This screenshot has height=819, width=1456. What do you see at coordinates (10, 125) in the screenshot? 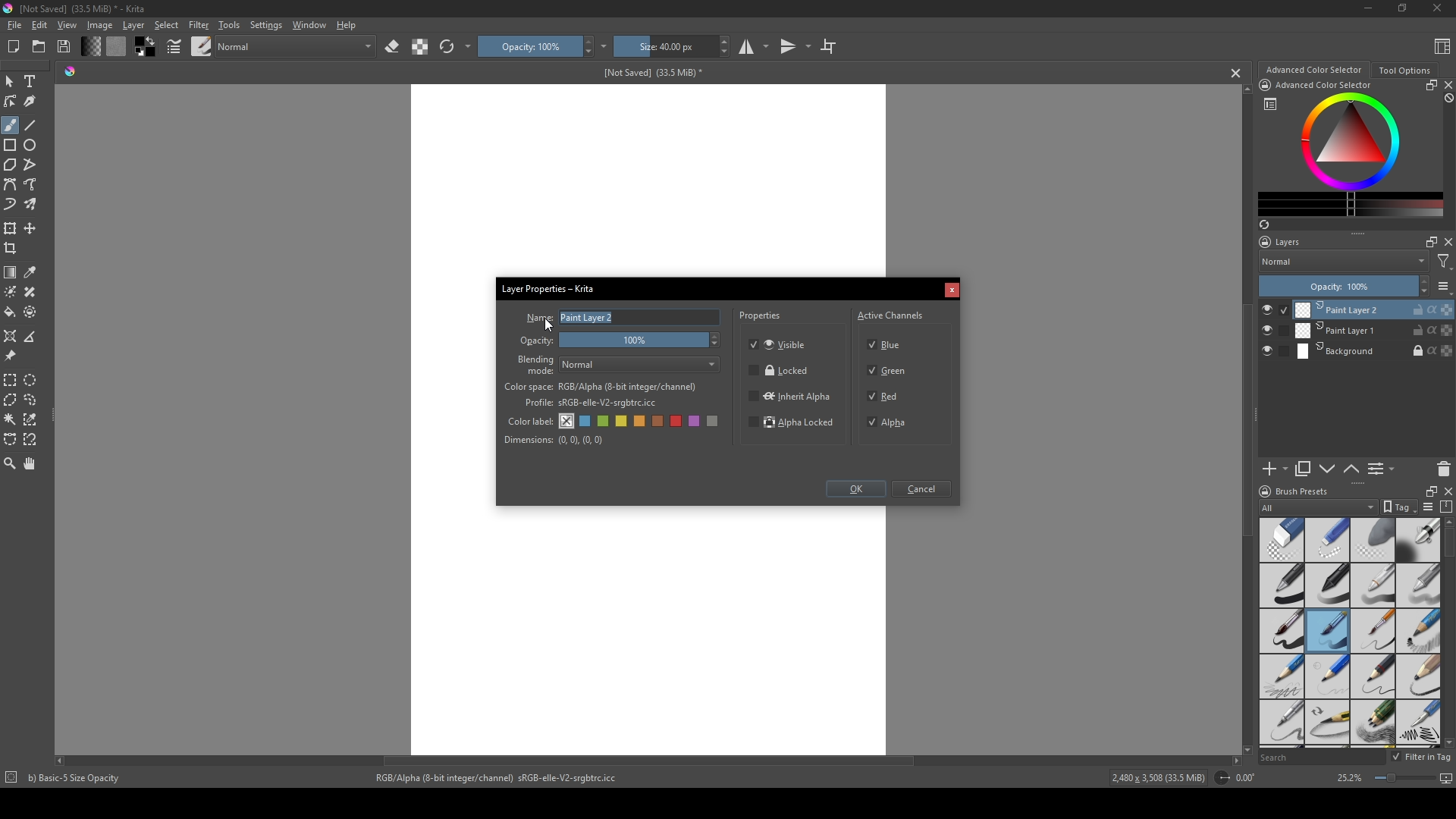
I see `brush` at bounding box center [10, 125].